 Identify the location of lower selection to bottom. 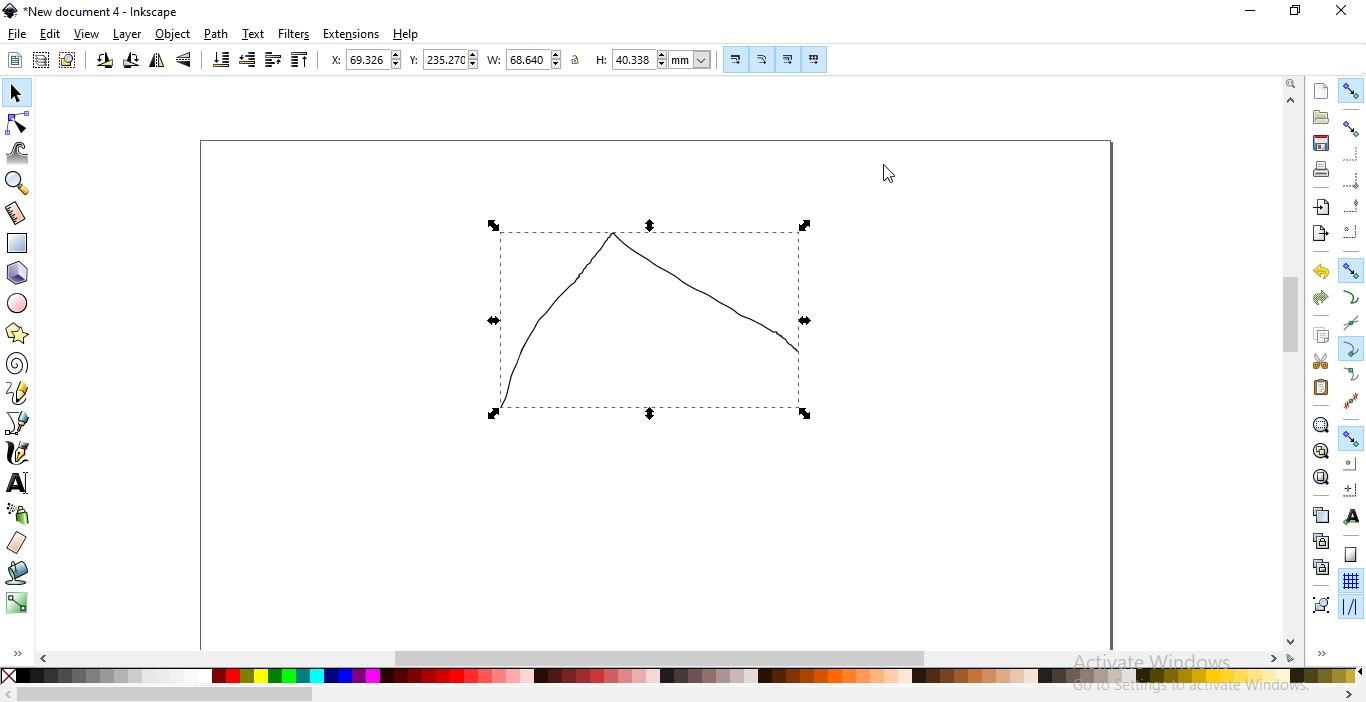
(220, 59).